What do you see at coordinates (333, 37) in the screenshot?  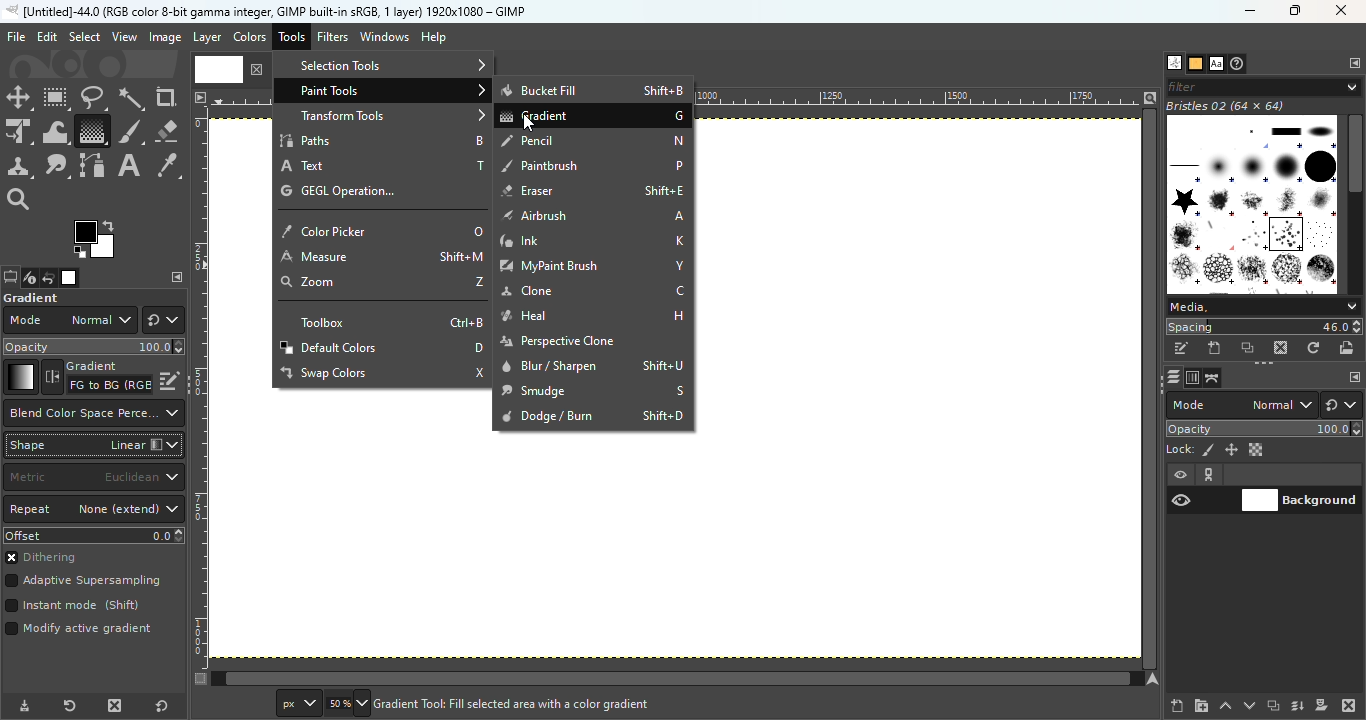 I see `Filters` at bounding box center [333, 37].